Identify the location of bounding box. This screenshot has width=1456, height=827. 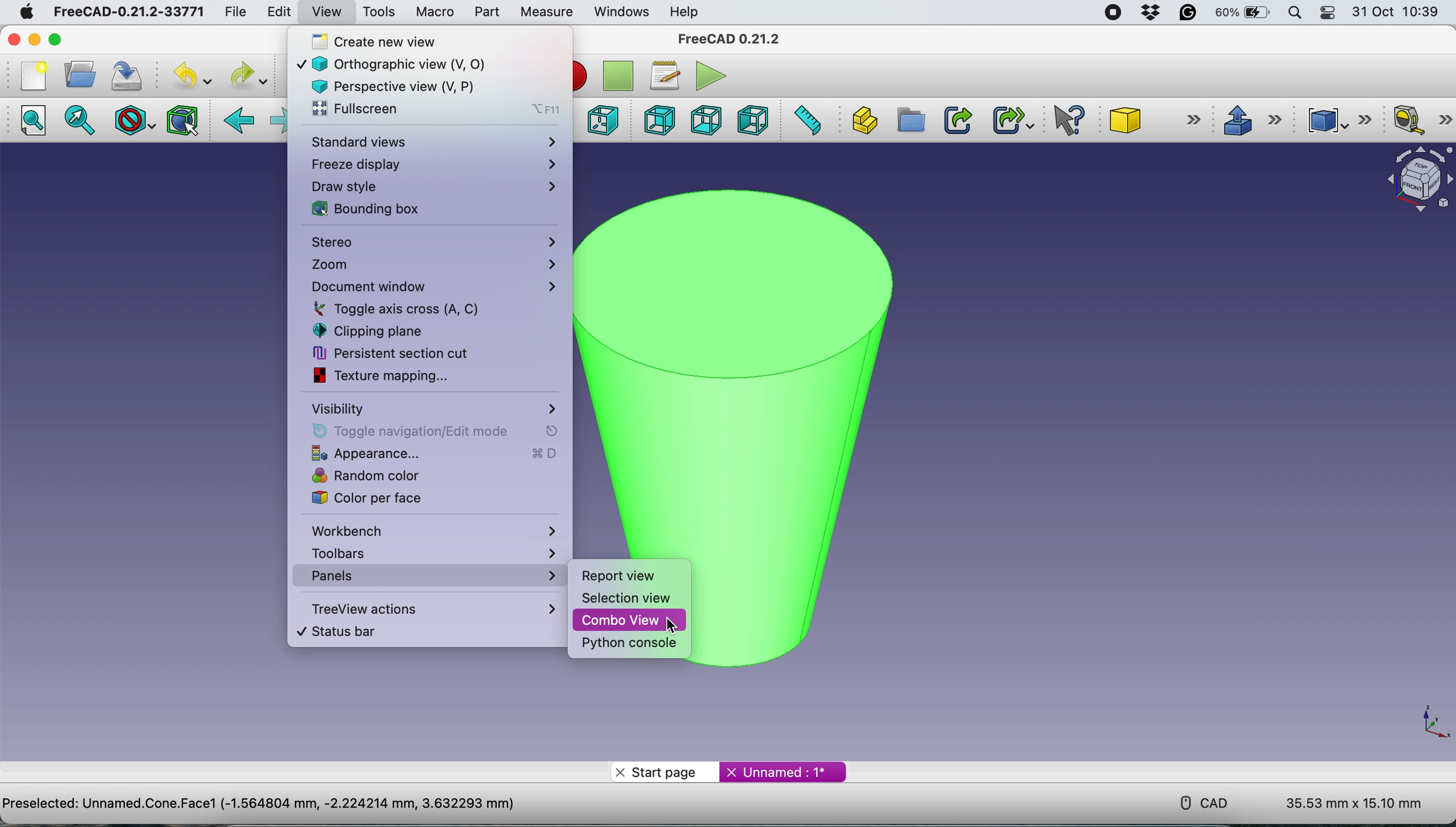
(181, 120).